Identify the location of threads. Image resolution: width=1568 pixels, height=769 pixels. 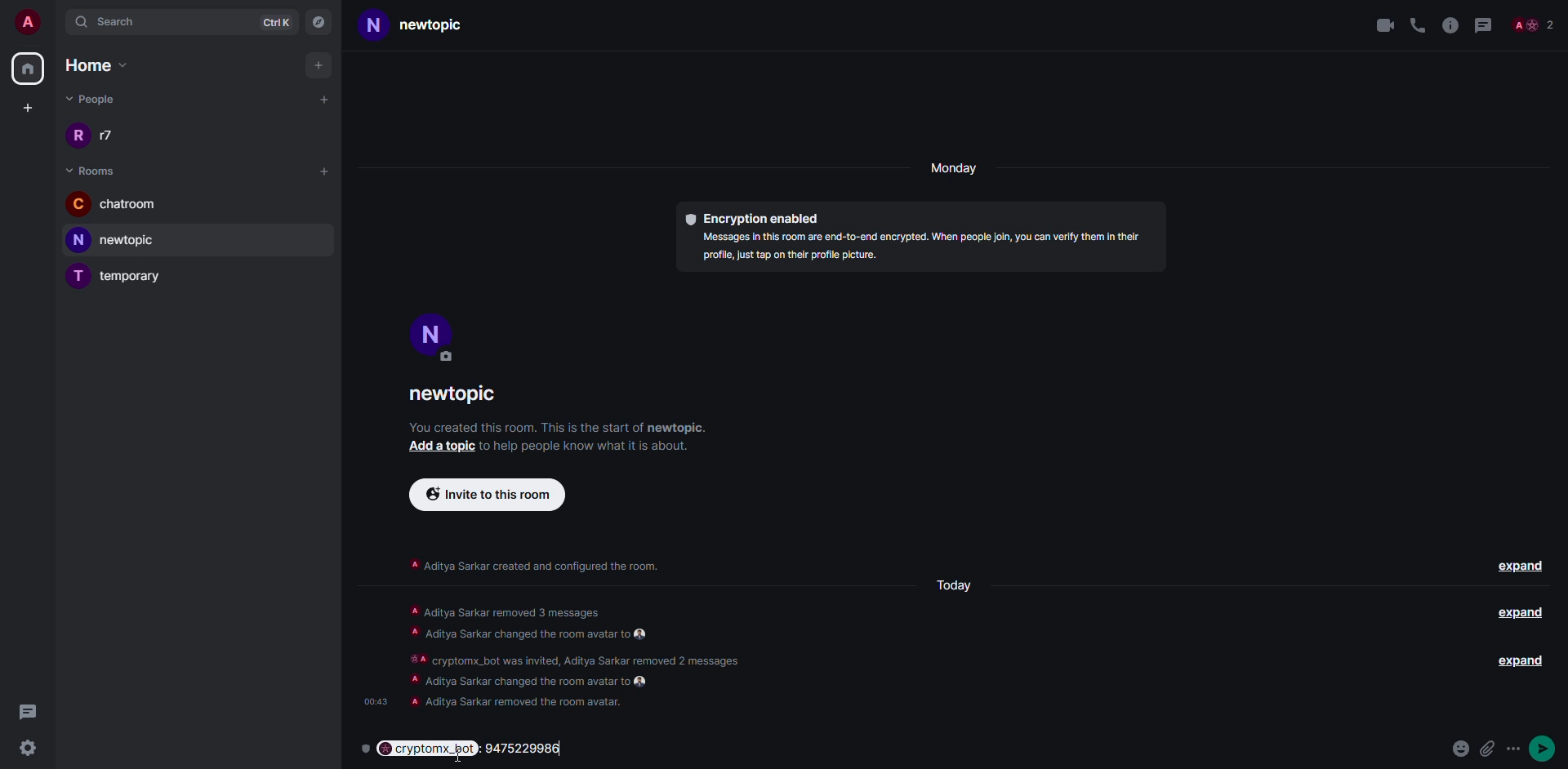
(28, 711).